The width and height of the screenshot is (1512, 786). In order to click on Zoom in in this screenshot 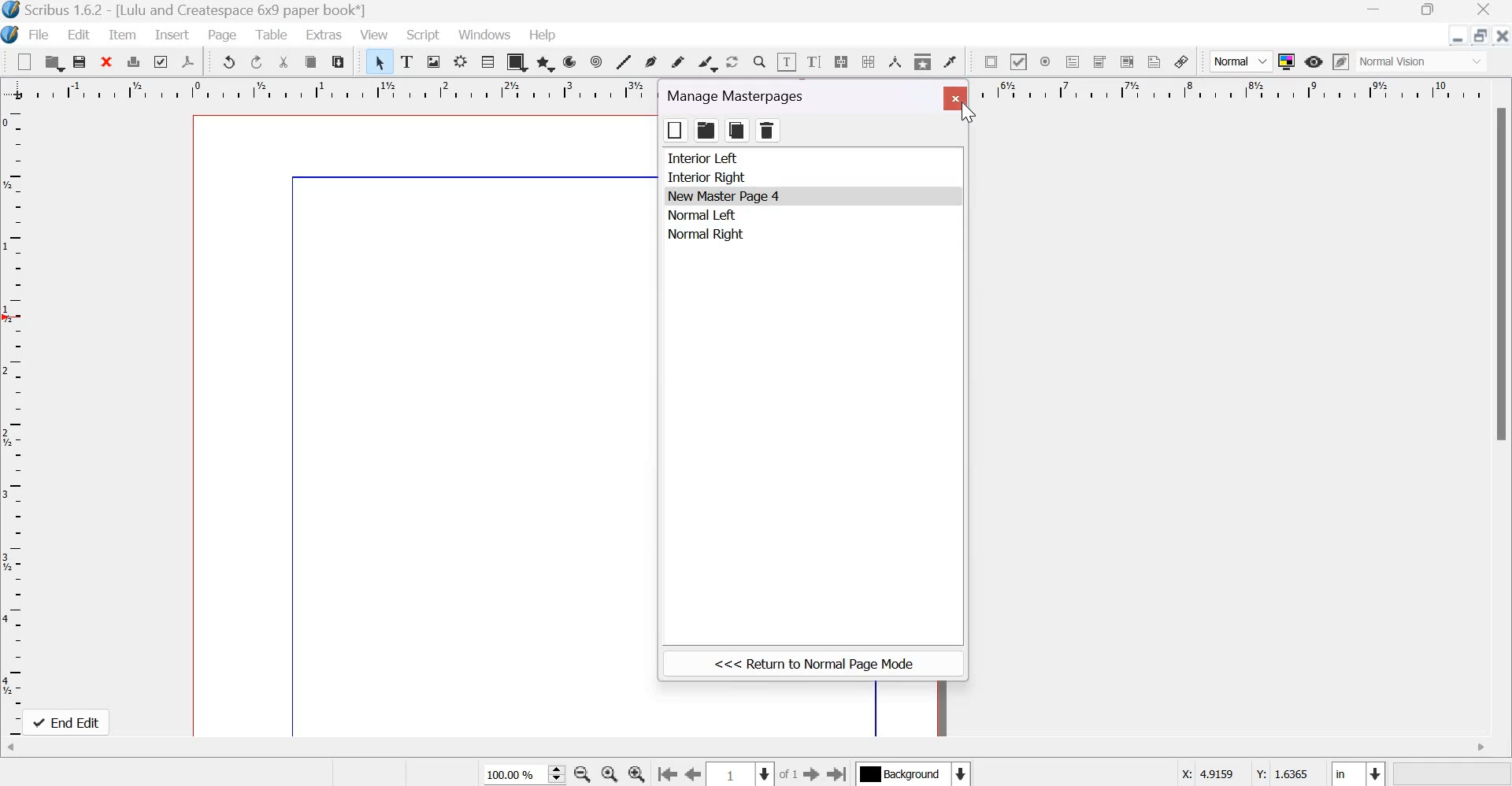, I will do `click(636, 773)`.